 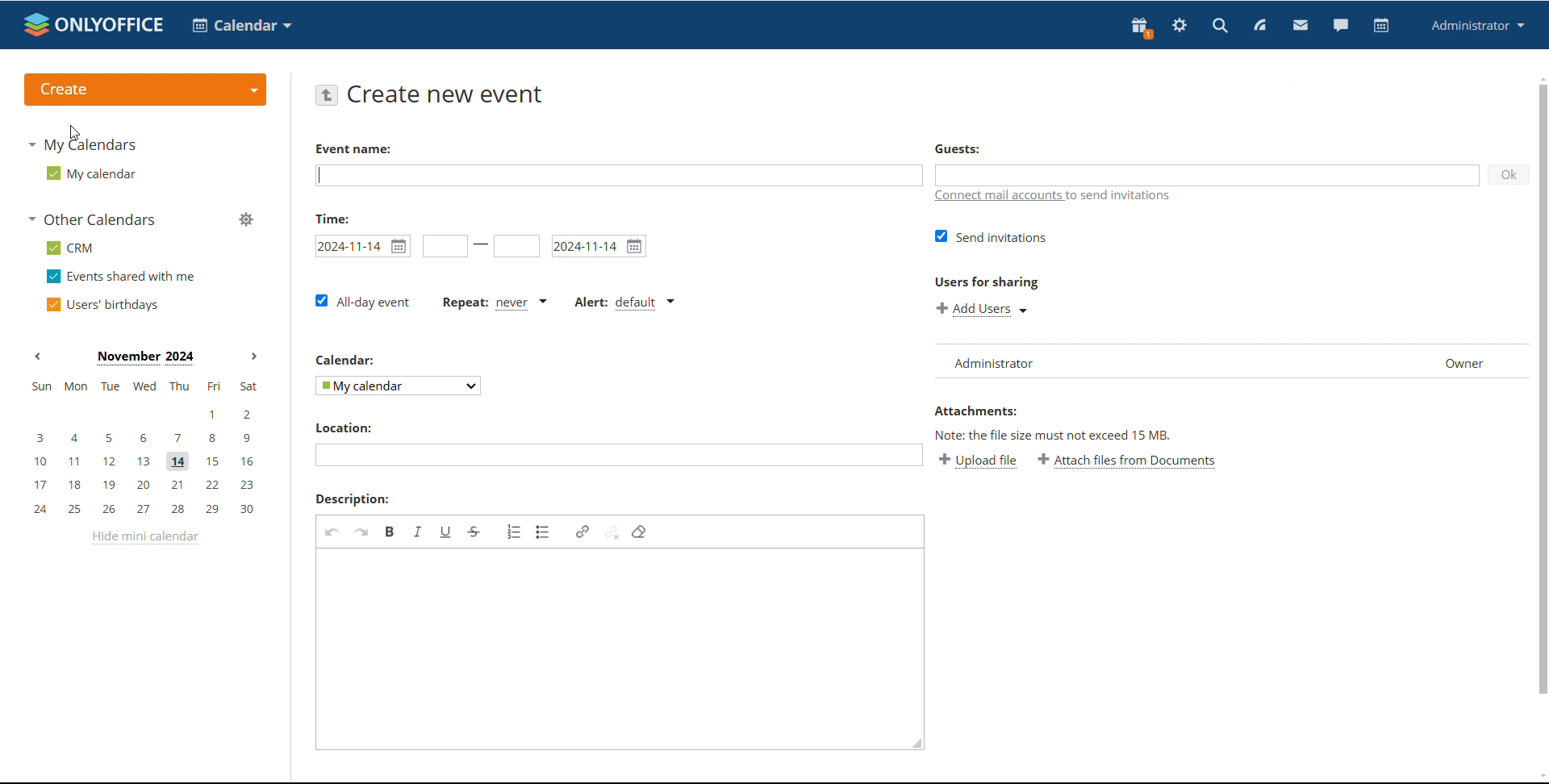 What do you see at coordinates (94, 219) in the screenshot?
I see `other calendars` at bounding box center [94, 219].